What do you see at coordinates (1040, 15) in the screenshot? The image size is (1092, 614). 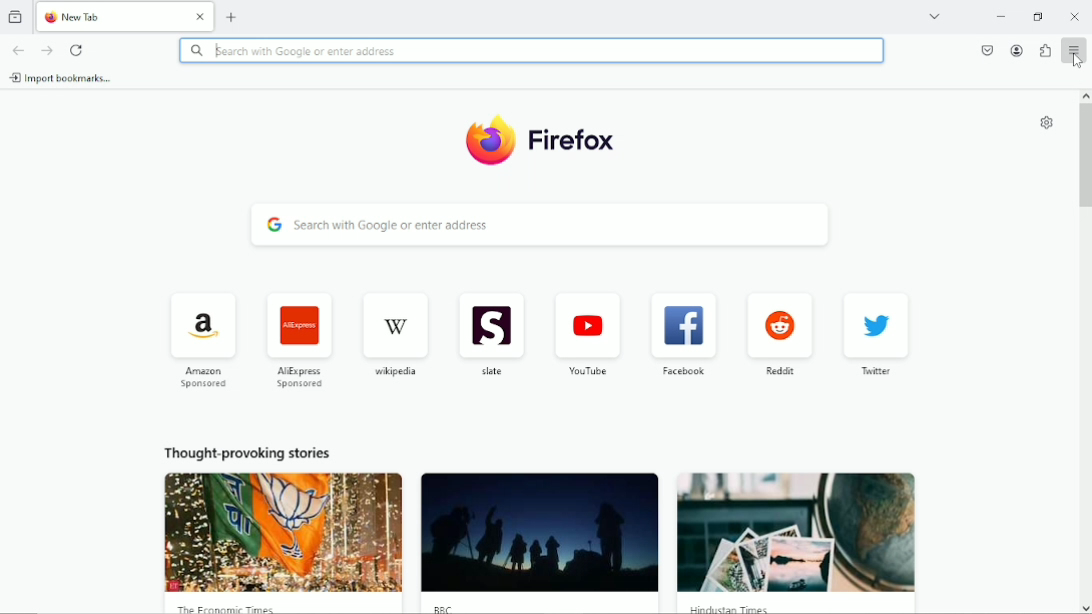 I see `restore down` at bounding box center [1040, 15].